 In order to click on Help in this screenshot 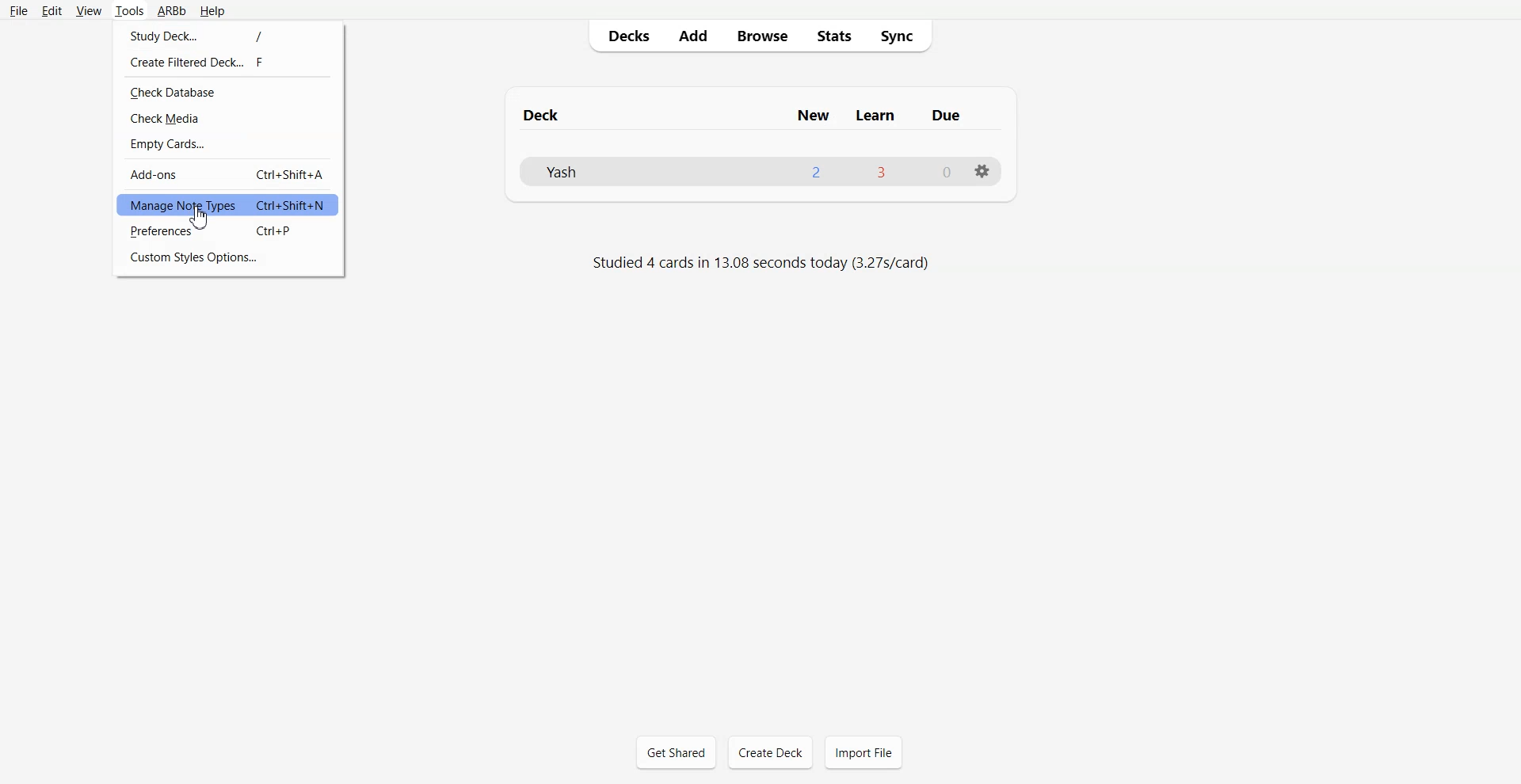, I will do `click(211, 12)`.